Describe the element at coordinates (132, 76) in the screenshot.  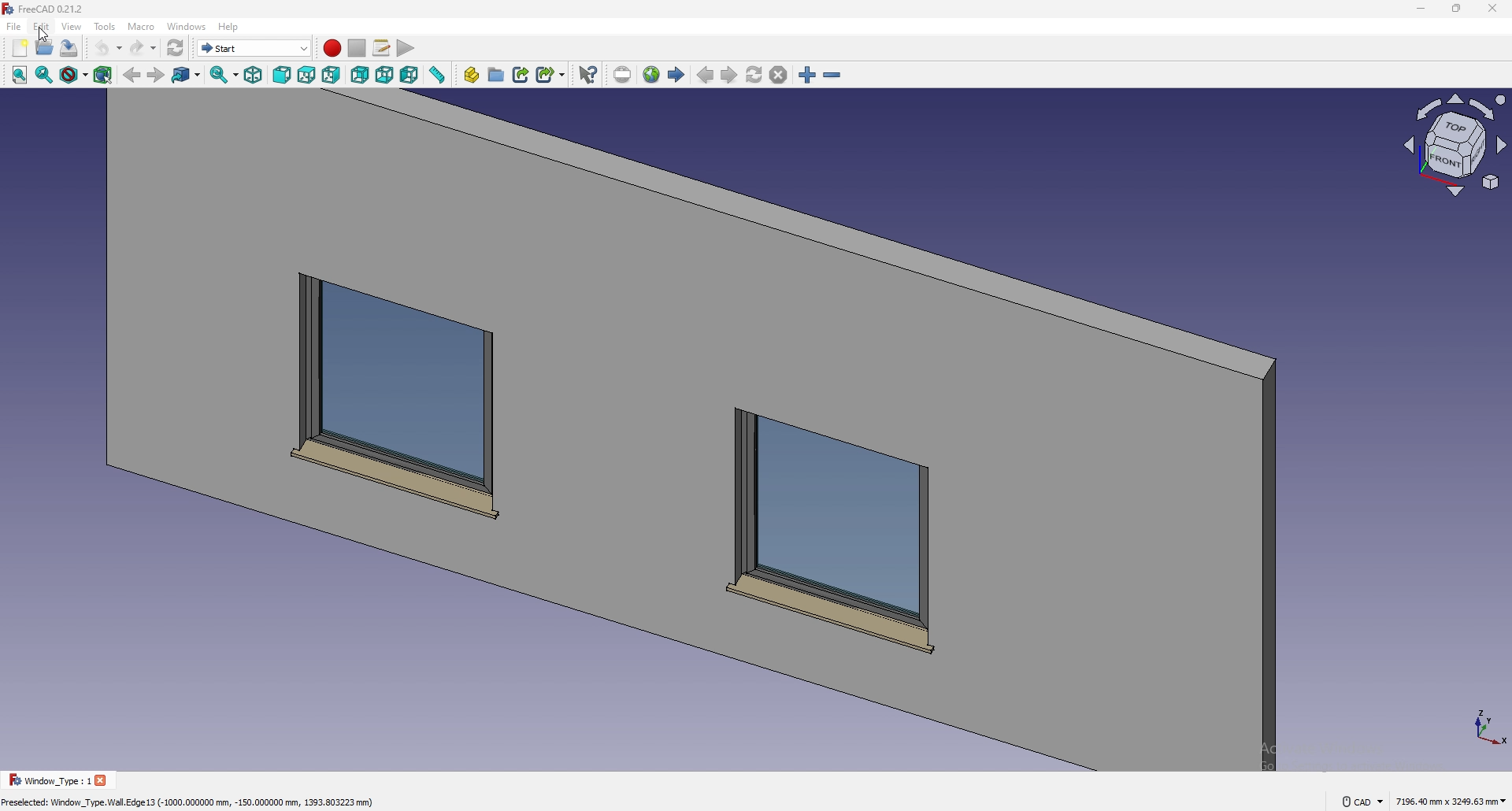
I see `back` at that location.